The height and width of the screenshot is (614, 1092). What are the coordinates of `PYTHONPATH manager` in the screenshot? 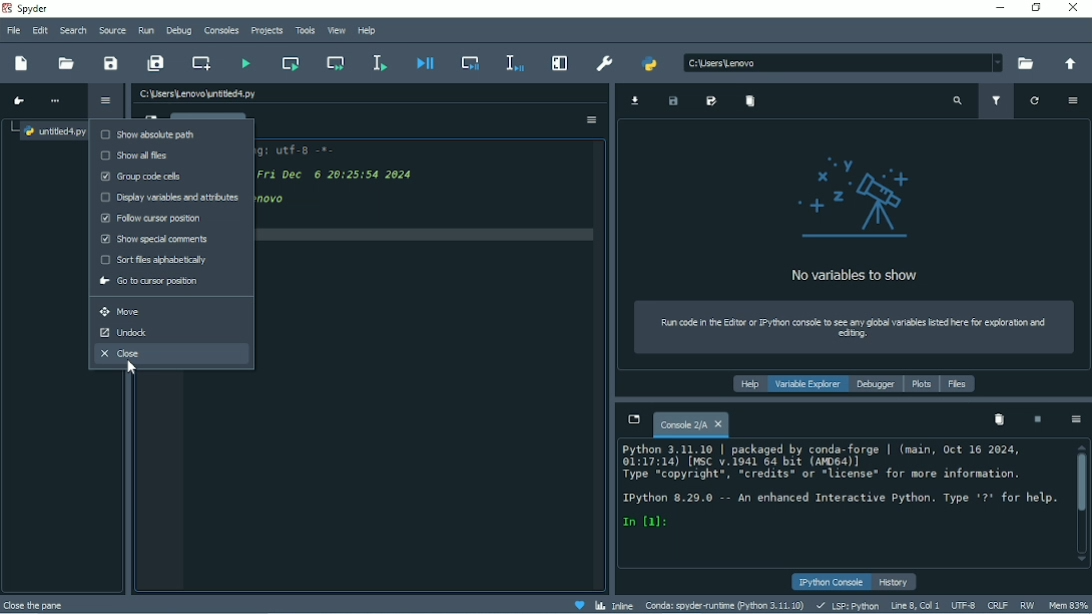 It's located at (649, 65).